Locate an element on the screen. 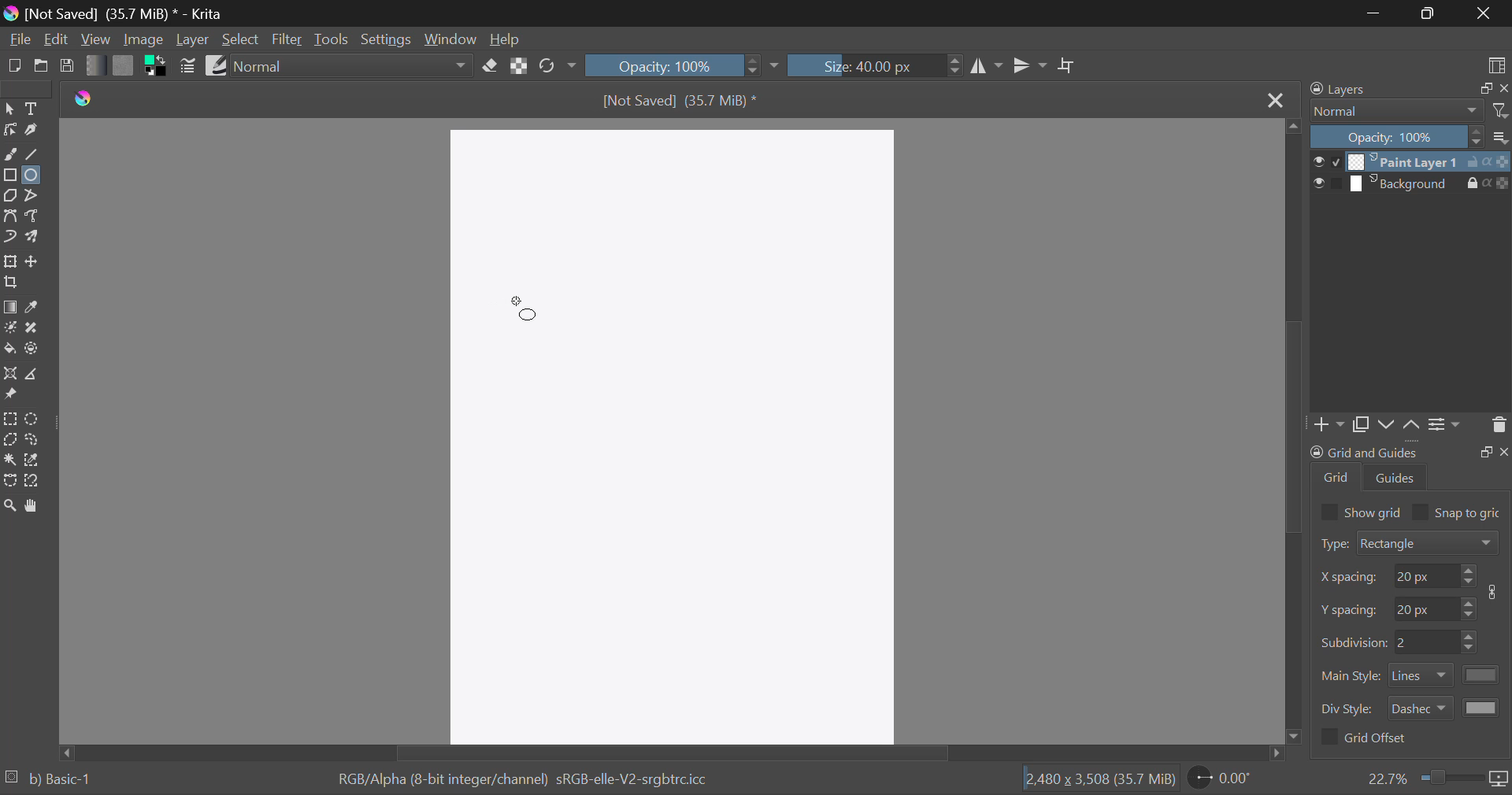 Image resolution: width=1512 pixels, height=795 pixels. MOUSE_DOWN Cursor Position is located at coordinates (525, 313).